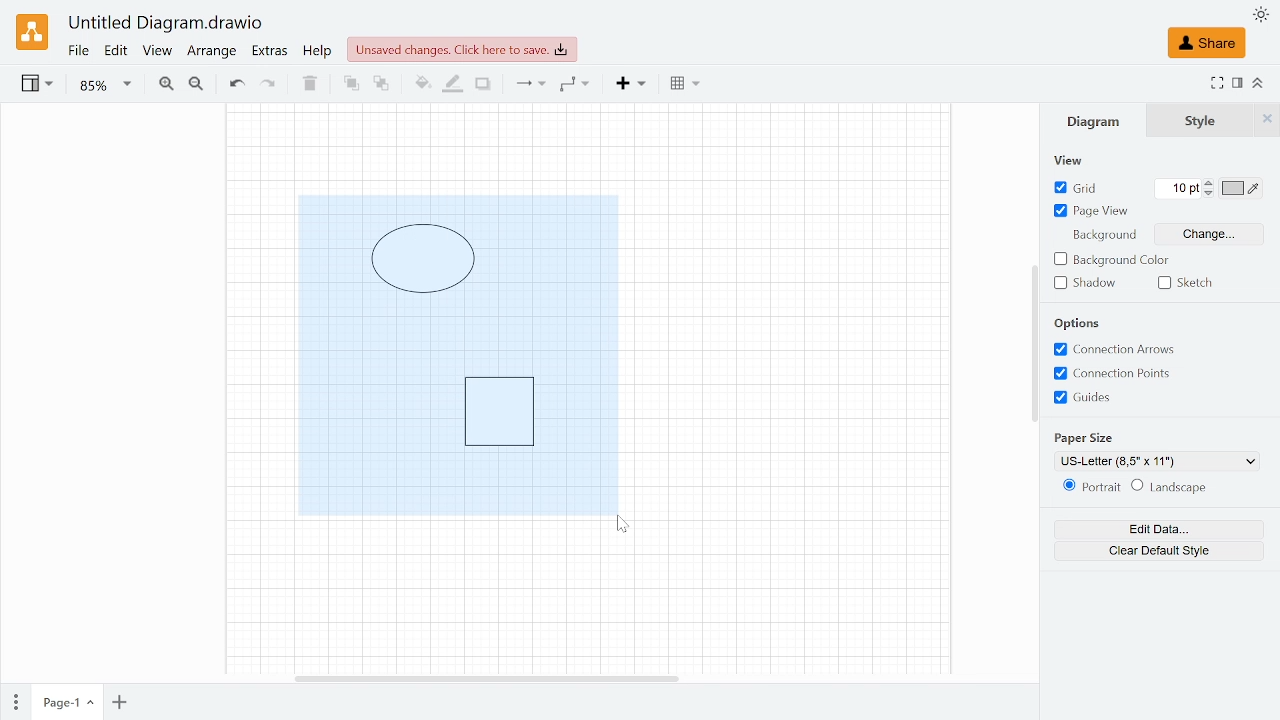 This screenshot has height=720, width=1280. I want to click on paper size, so click(1088, 439).